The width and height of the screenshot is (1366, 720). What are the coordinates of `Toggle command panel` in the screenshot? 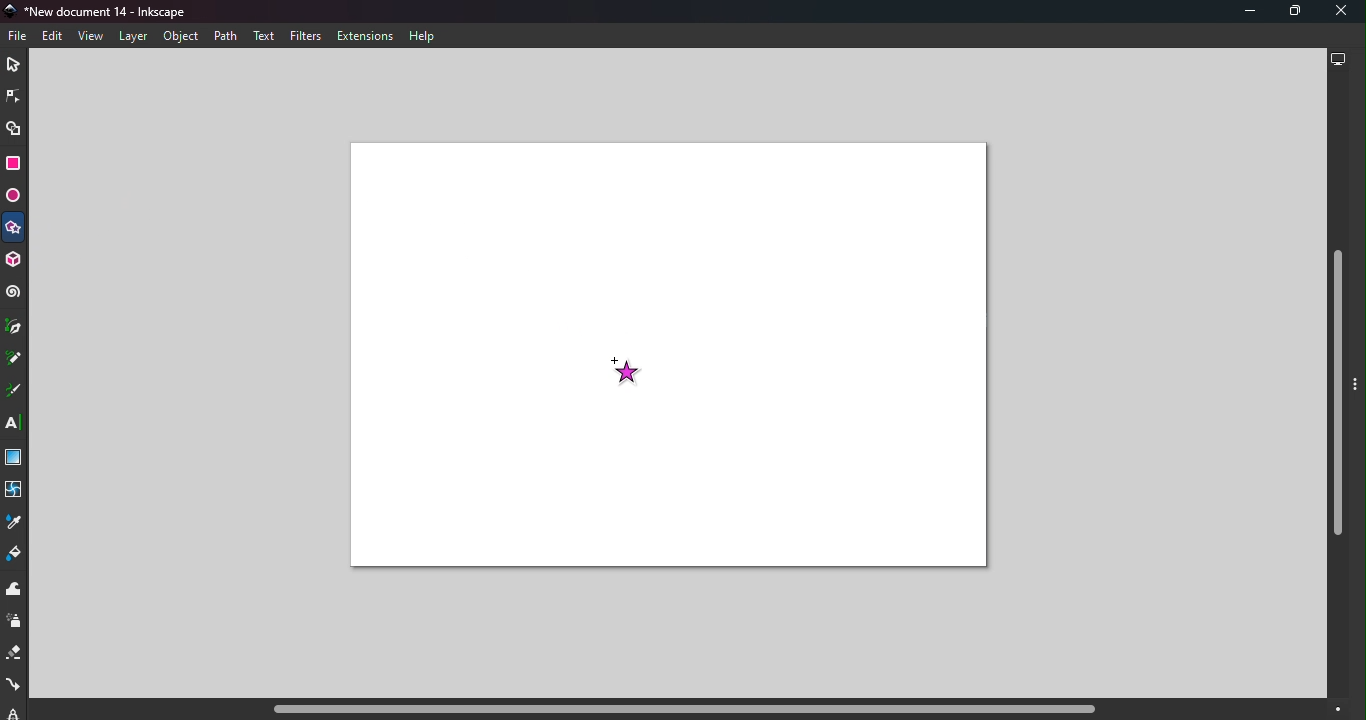 It's located at (1358, 395).